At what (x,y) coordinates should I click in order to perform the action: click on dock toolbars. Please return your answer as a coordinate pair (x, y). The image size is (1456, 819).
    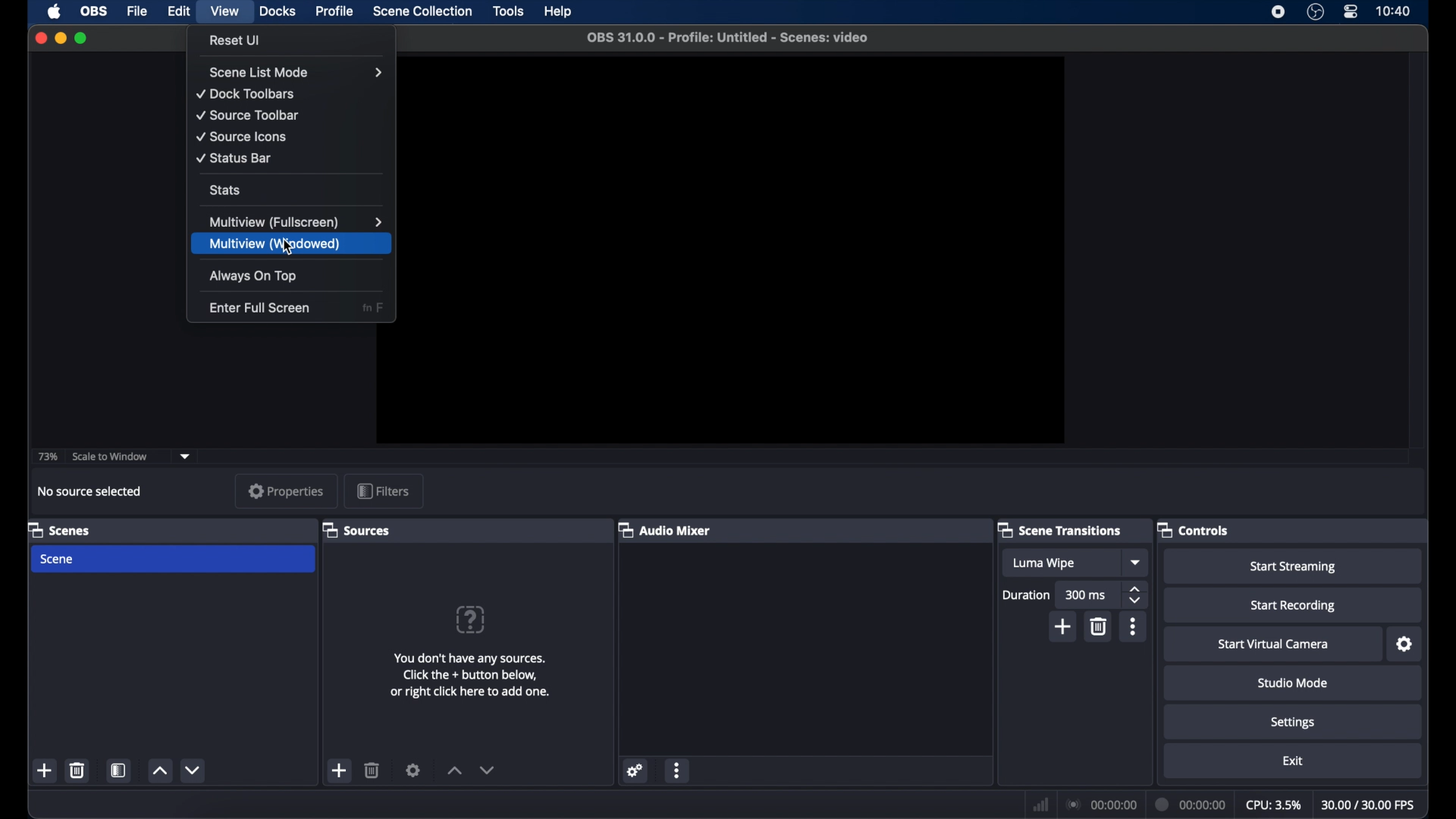
    Looking at the image, I should click on (245, 94).